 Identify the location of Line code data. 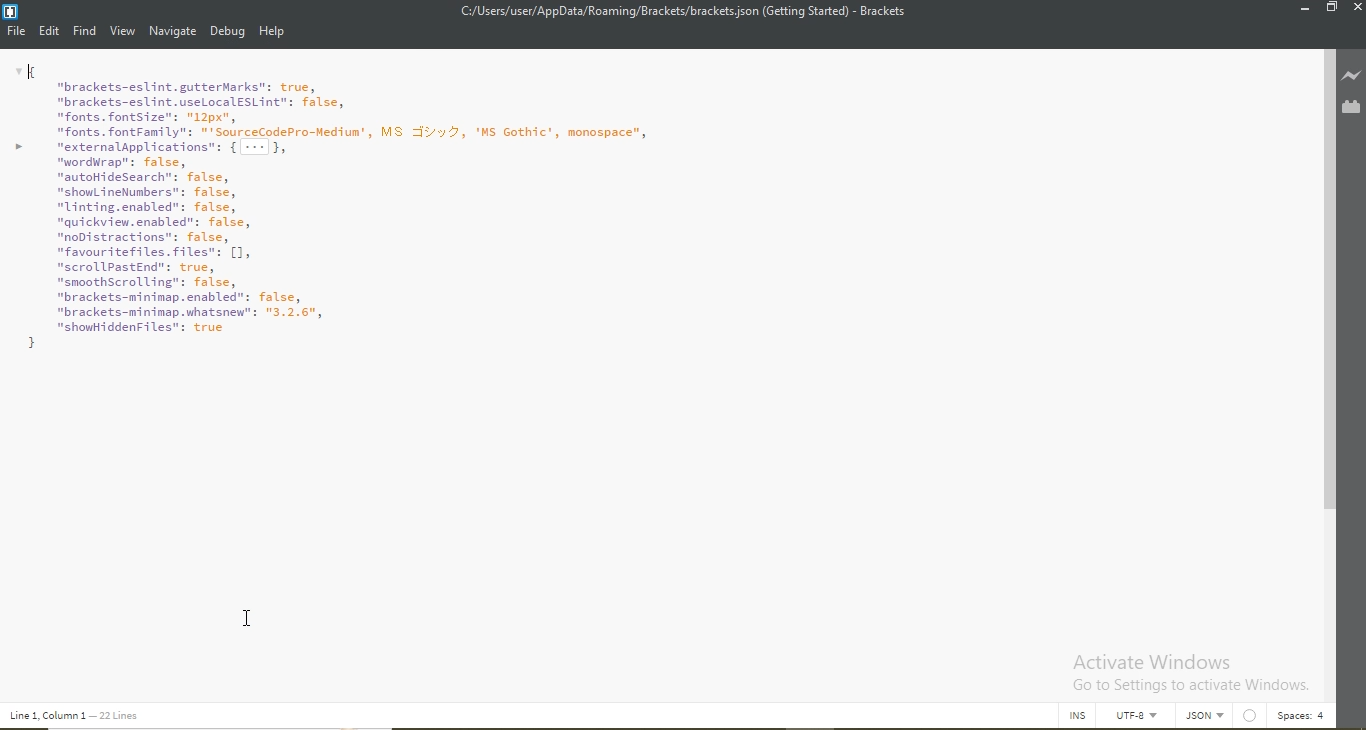
(79, 716).